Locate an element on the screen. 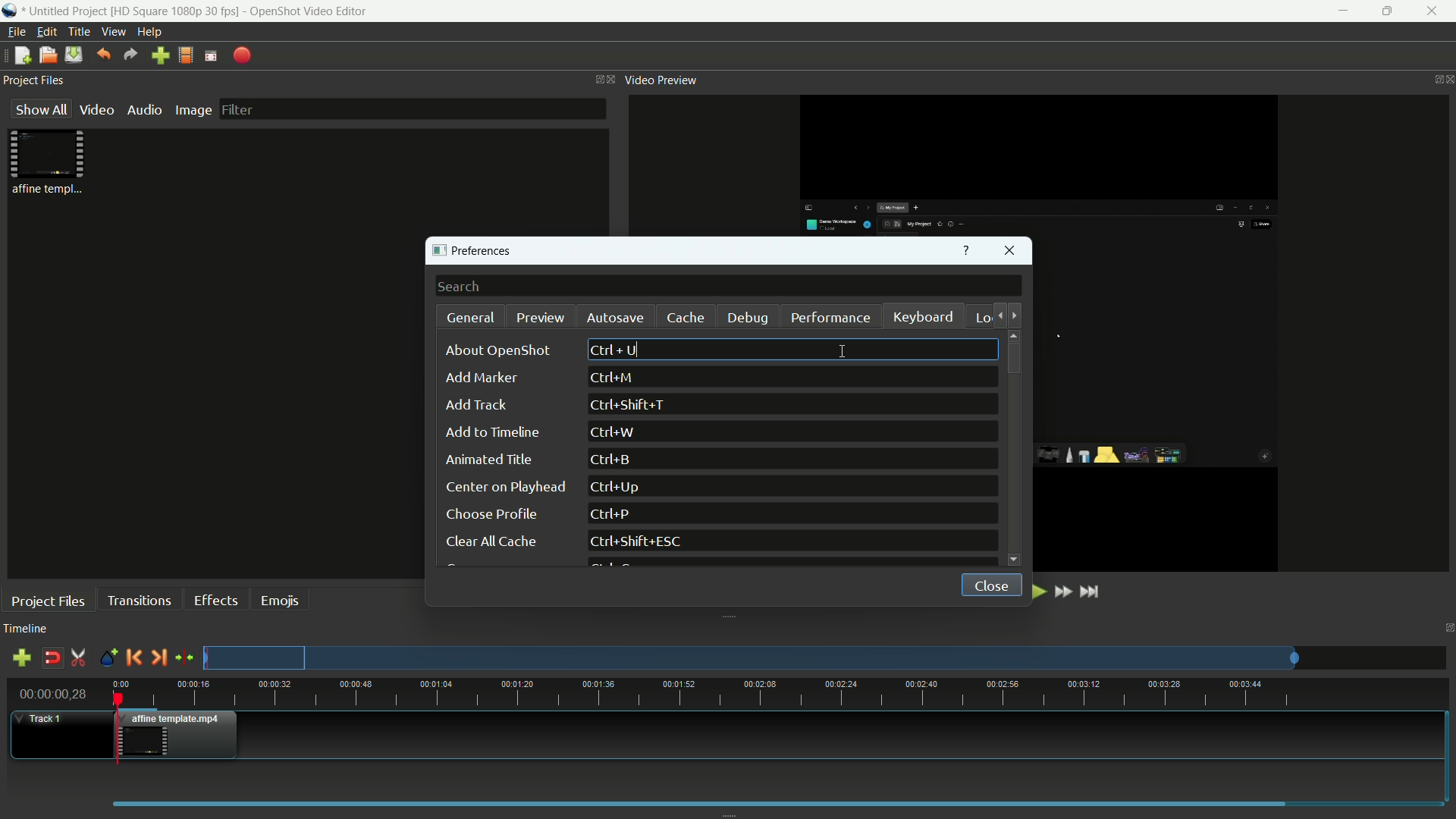 The height and width of the screenshot is (819, 1456). add marker is located at coordinates (480, 379).